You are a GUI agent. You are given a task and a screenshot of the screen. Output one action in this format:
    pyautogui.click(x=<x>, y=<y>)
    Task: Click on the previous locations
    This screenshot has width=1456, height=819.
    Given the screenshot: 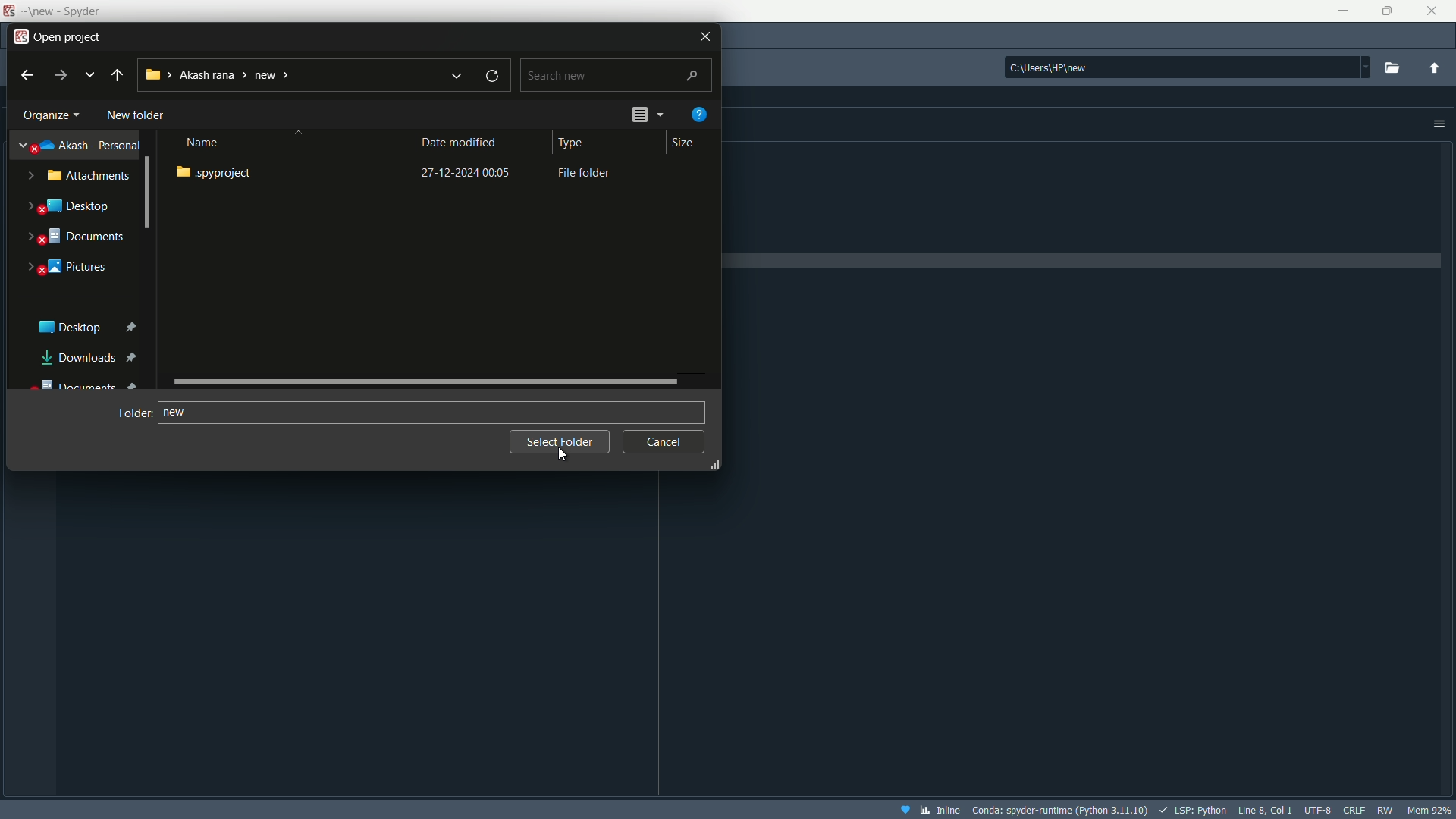 What is the action you would take?
    pyautogui.click(x=90, y=74)
    